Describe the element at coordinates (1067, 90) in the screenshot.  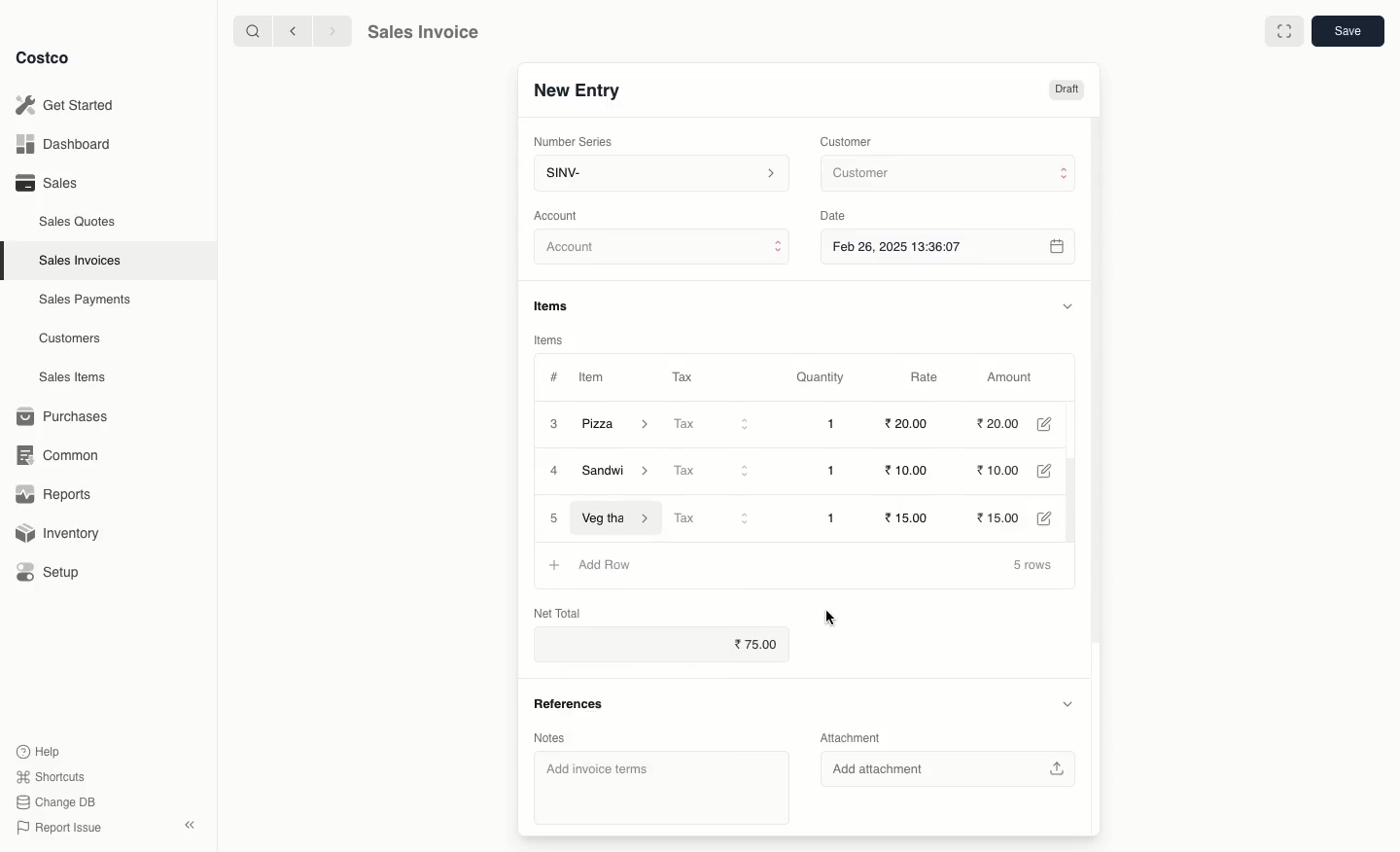
I see `Draft` at that location.